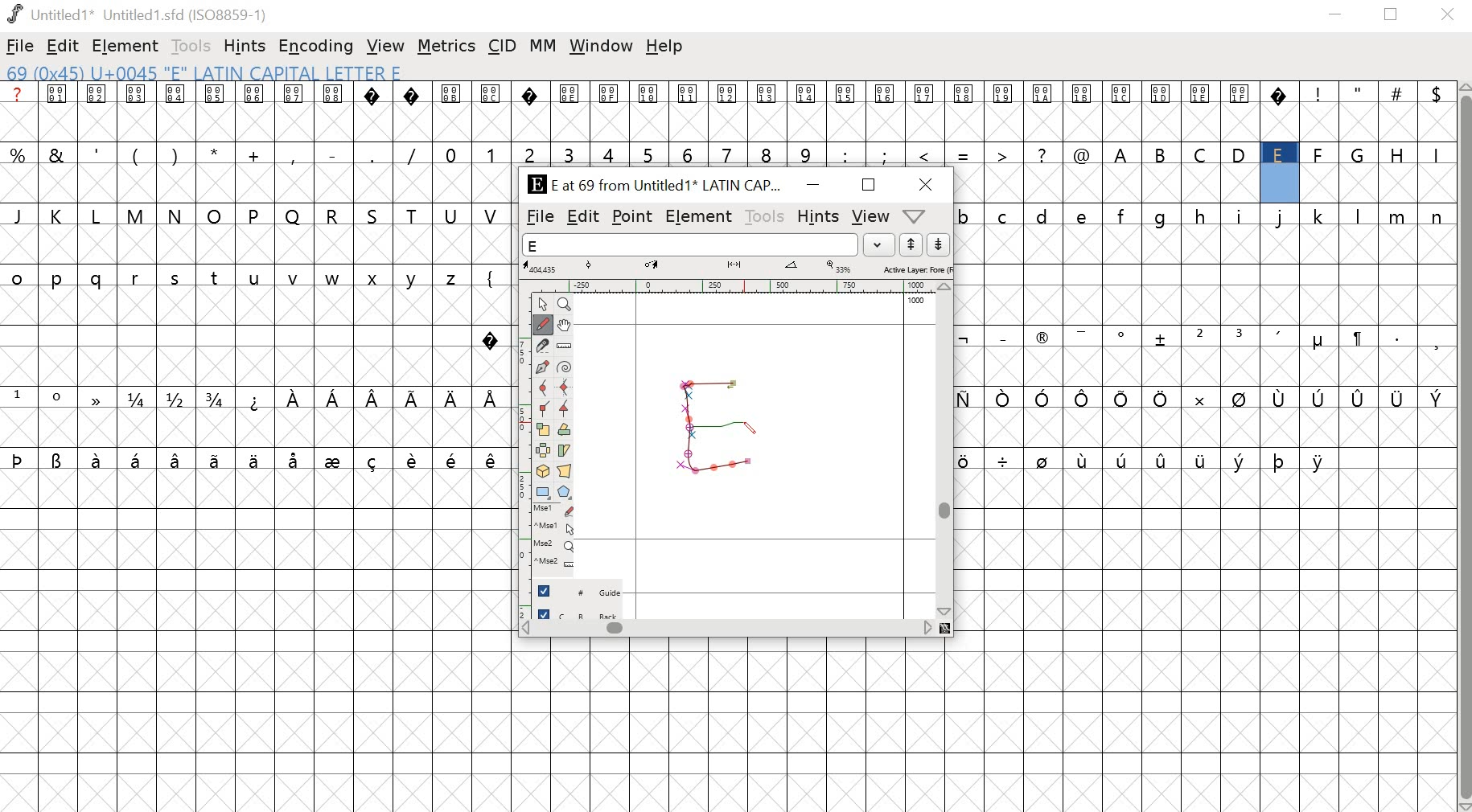  Describe the element at coordinates (519, 453) in the screenshot. I see `ruler` at that location.